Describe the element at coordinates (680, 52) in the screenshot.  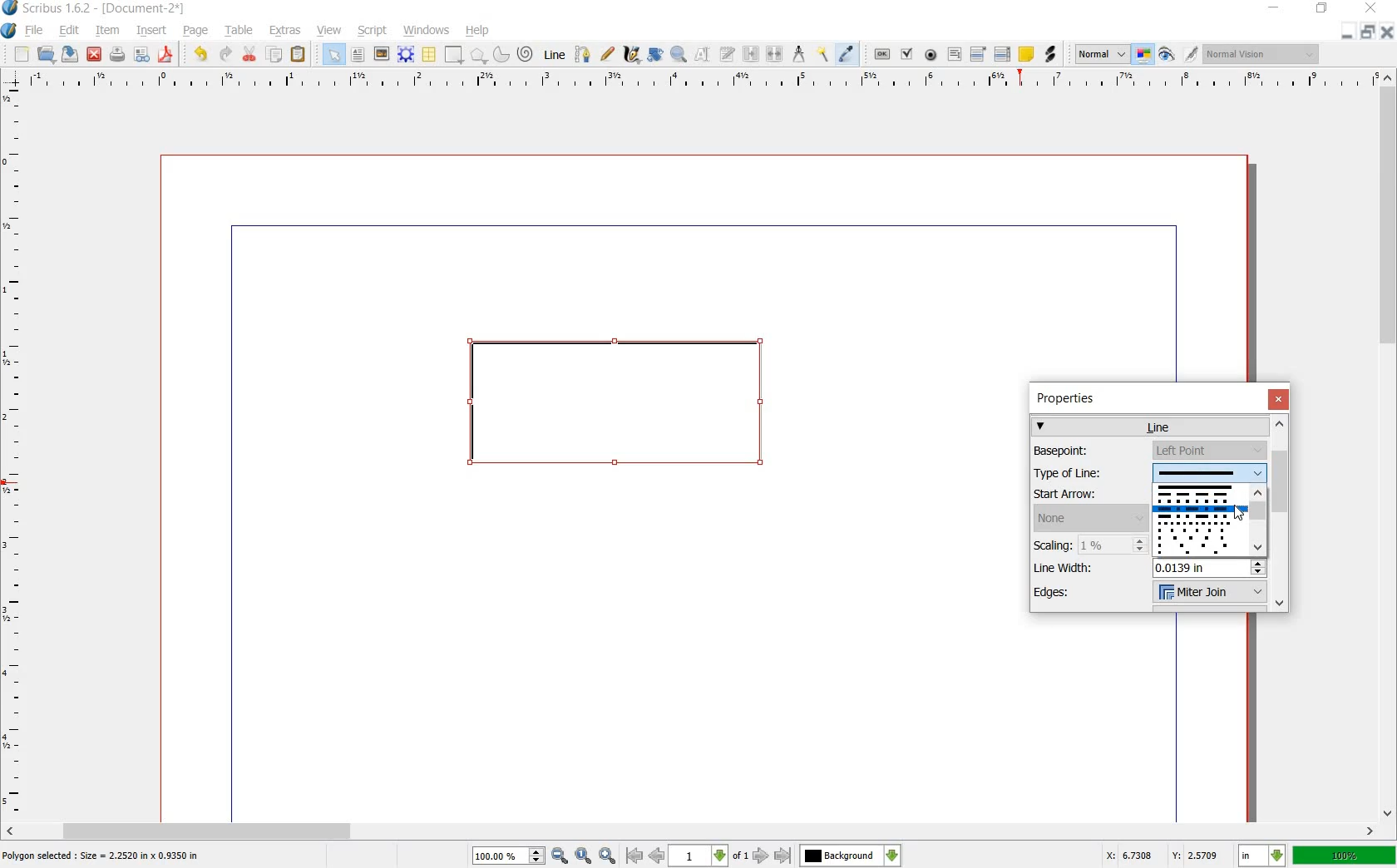
I see `ZOOM IN OR OUT` at that location.